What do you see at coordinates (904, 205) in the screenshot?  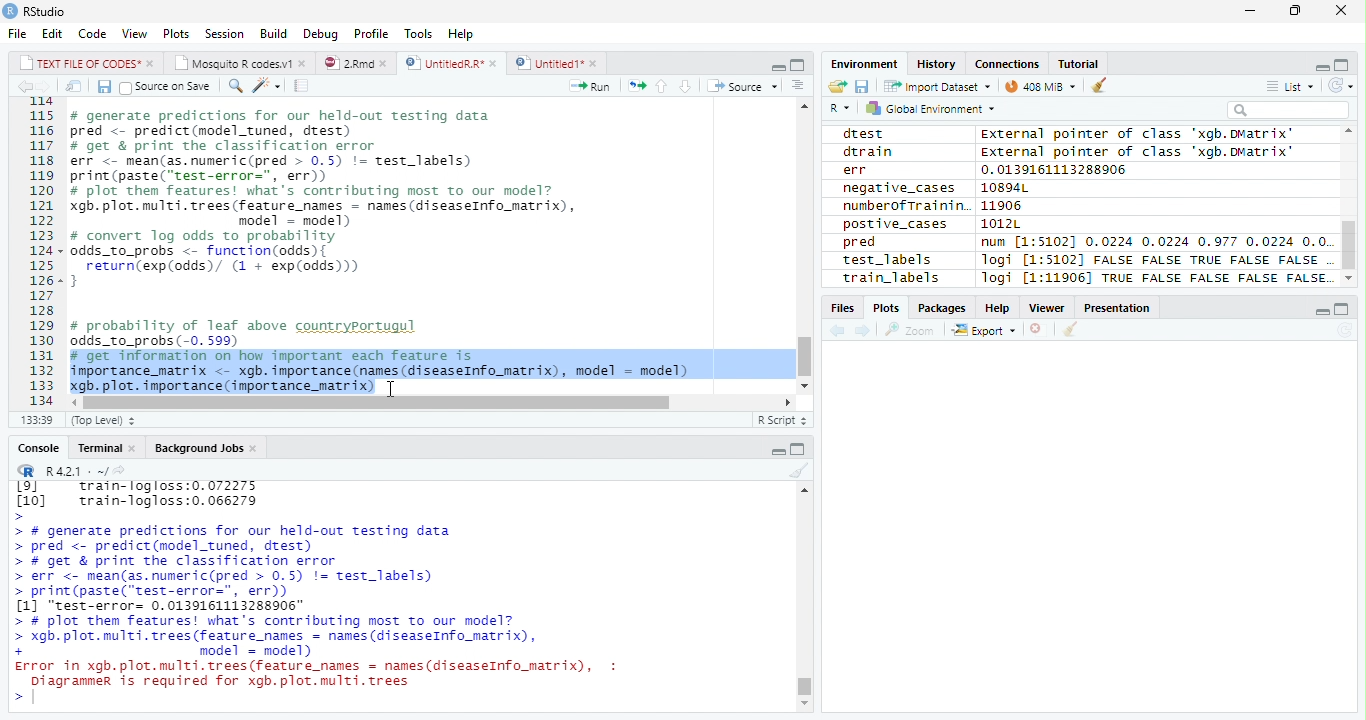 I see `numberofTrainin.` at bounding box center [904, 205].